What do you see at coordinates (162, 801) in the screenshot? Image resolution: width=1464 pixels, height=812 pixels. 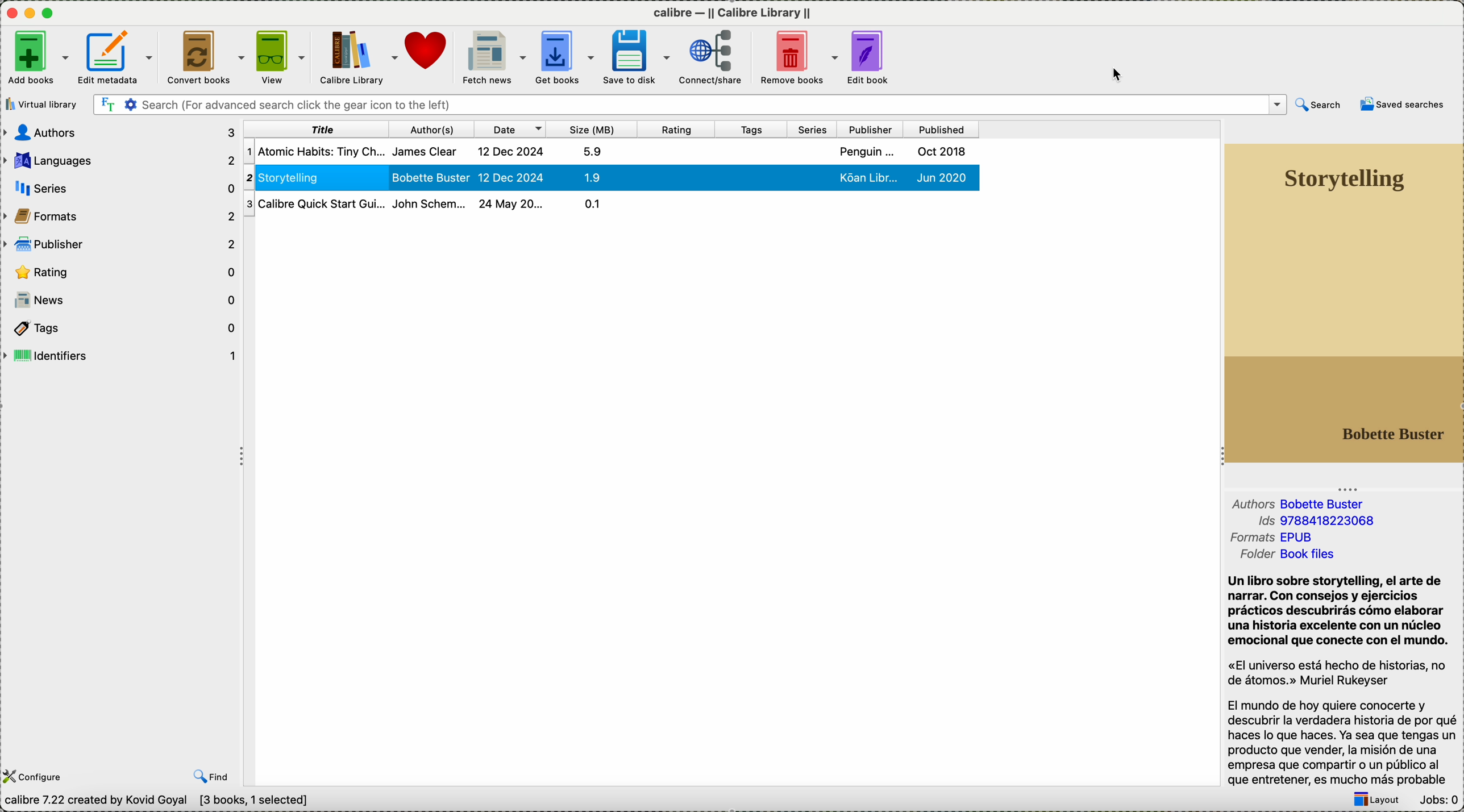 I see `data` at bounding box center [162, 801].